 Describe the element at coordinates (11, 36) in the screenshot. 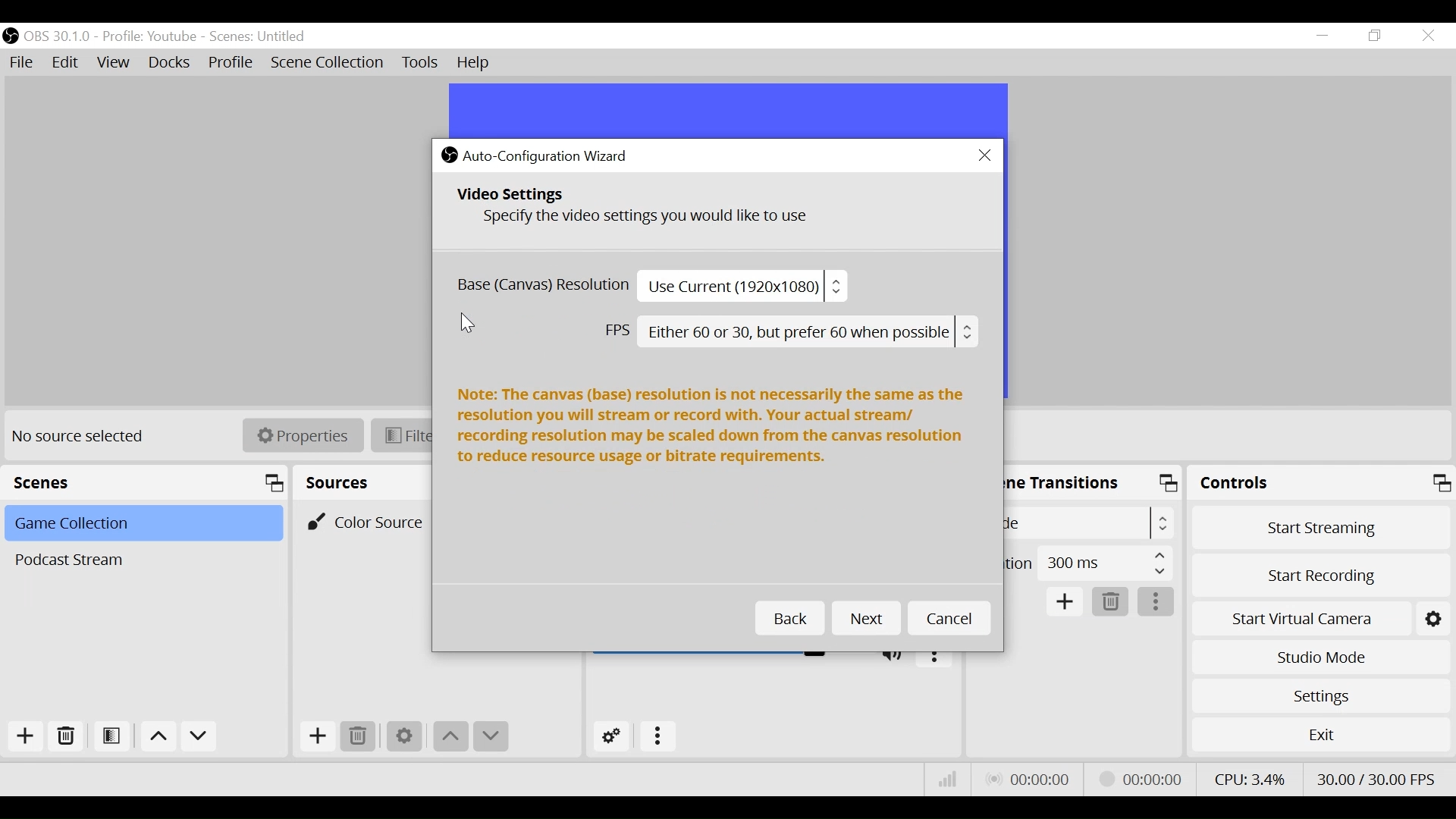

I see `OBS Desktop icon` at that location.